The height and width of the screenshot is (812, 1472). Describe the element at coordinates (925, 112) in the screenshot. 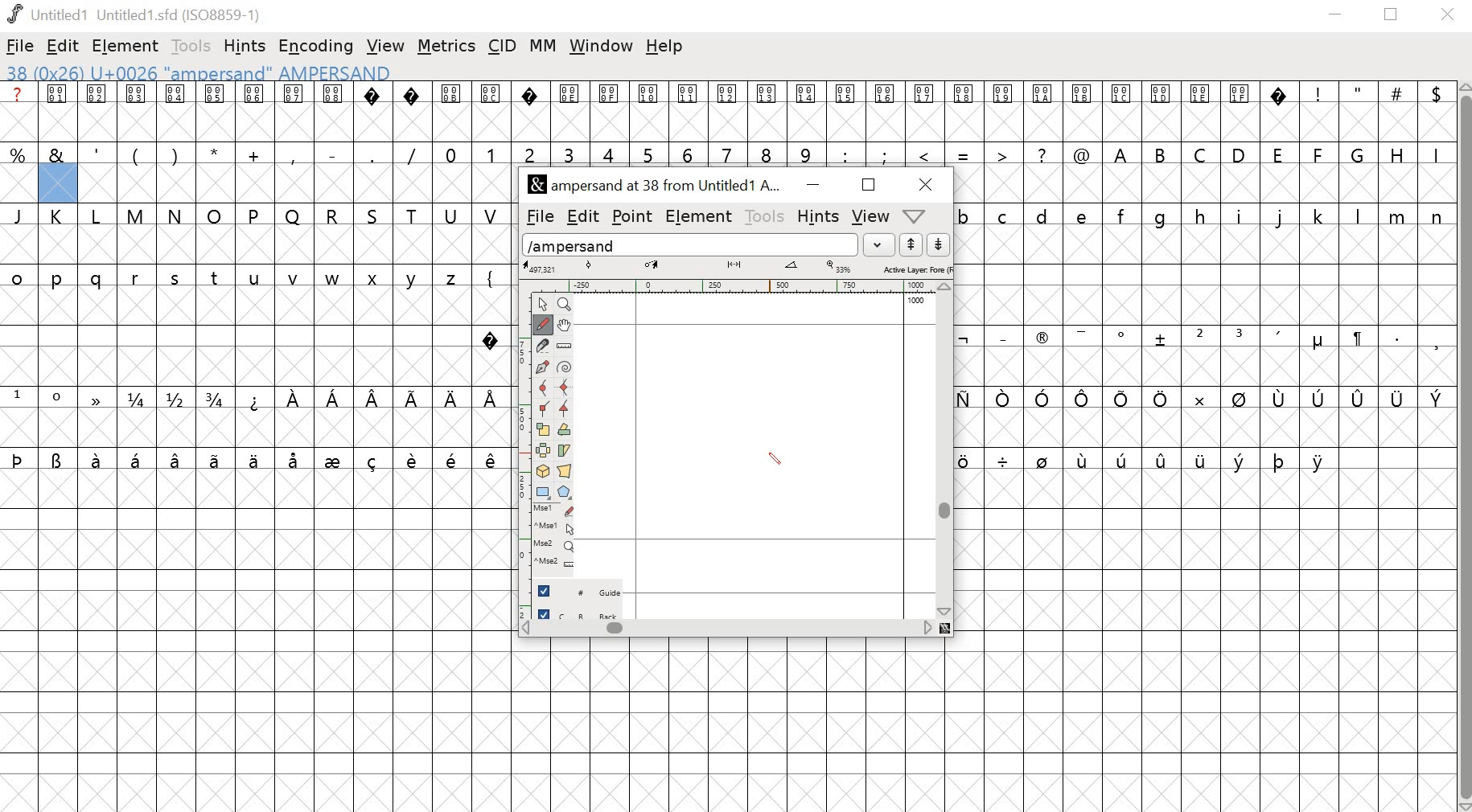

I see `0017` at that location.